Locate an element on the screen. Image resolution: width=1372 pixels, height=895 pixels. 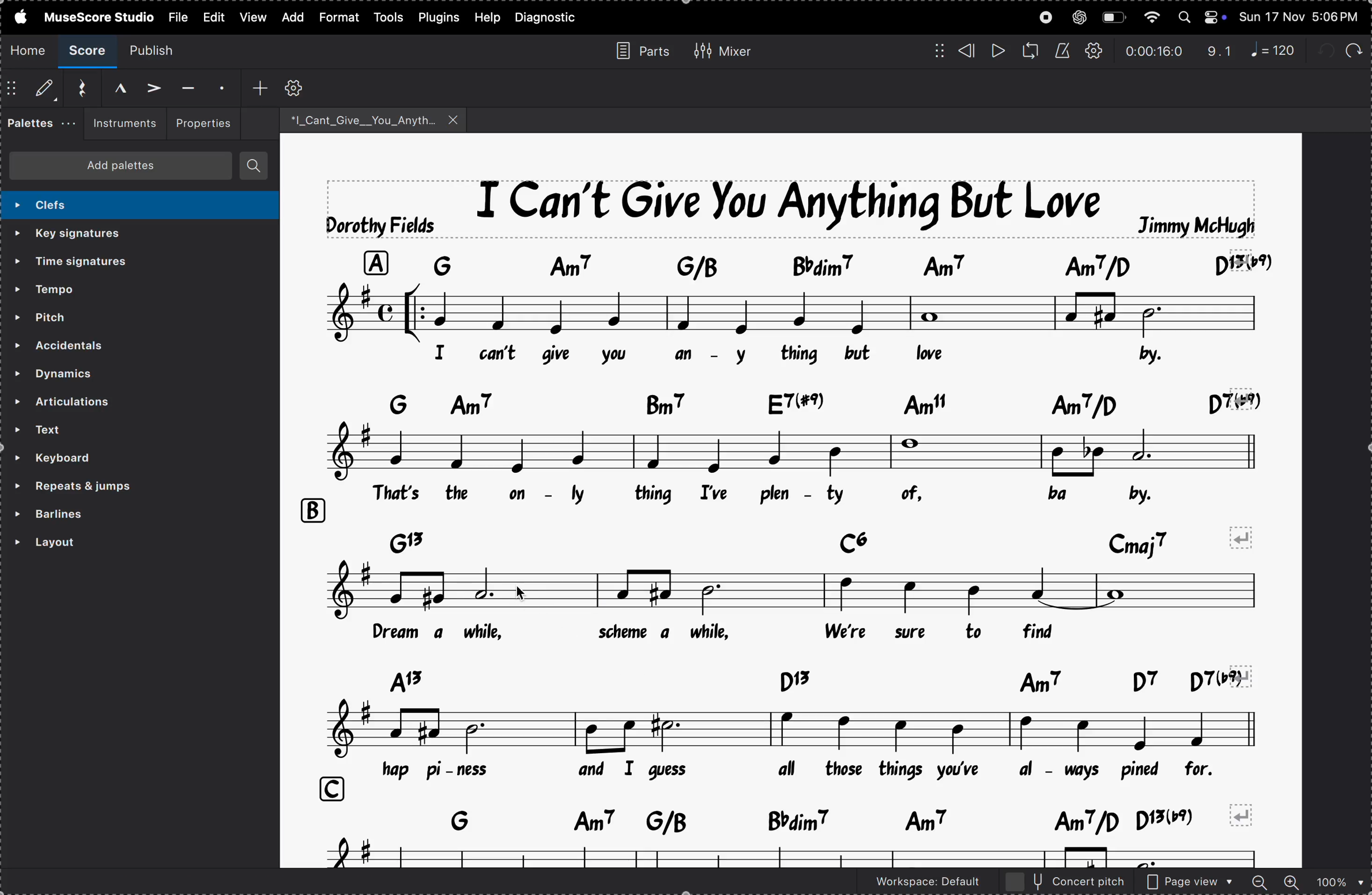
time signatures is located at coordinates (100, 264).